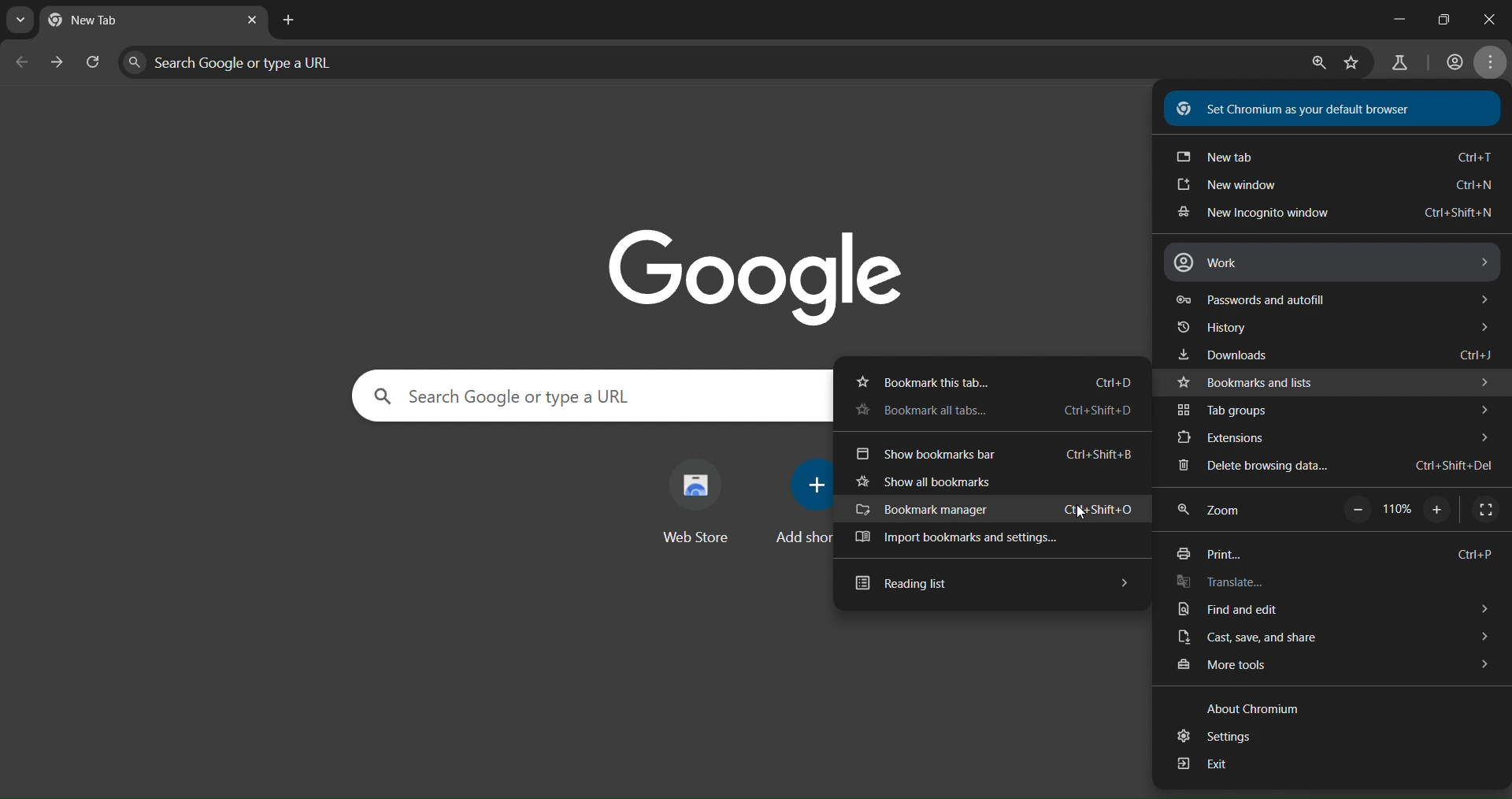  Describe the element at coordinates (251, 21) in the screenshot. I see `close page` at that location.